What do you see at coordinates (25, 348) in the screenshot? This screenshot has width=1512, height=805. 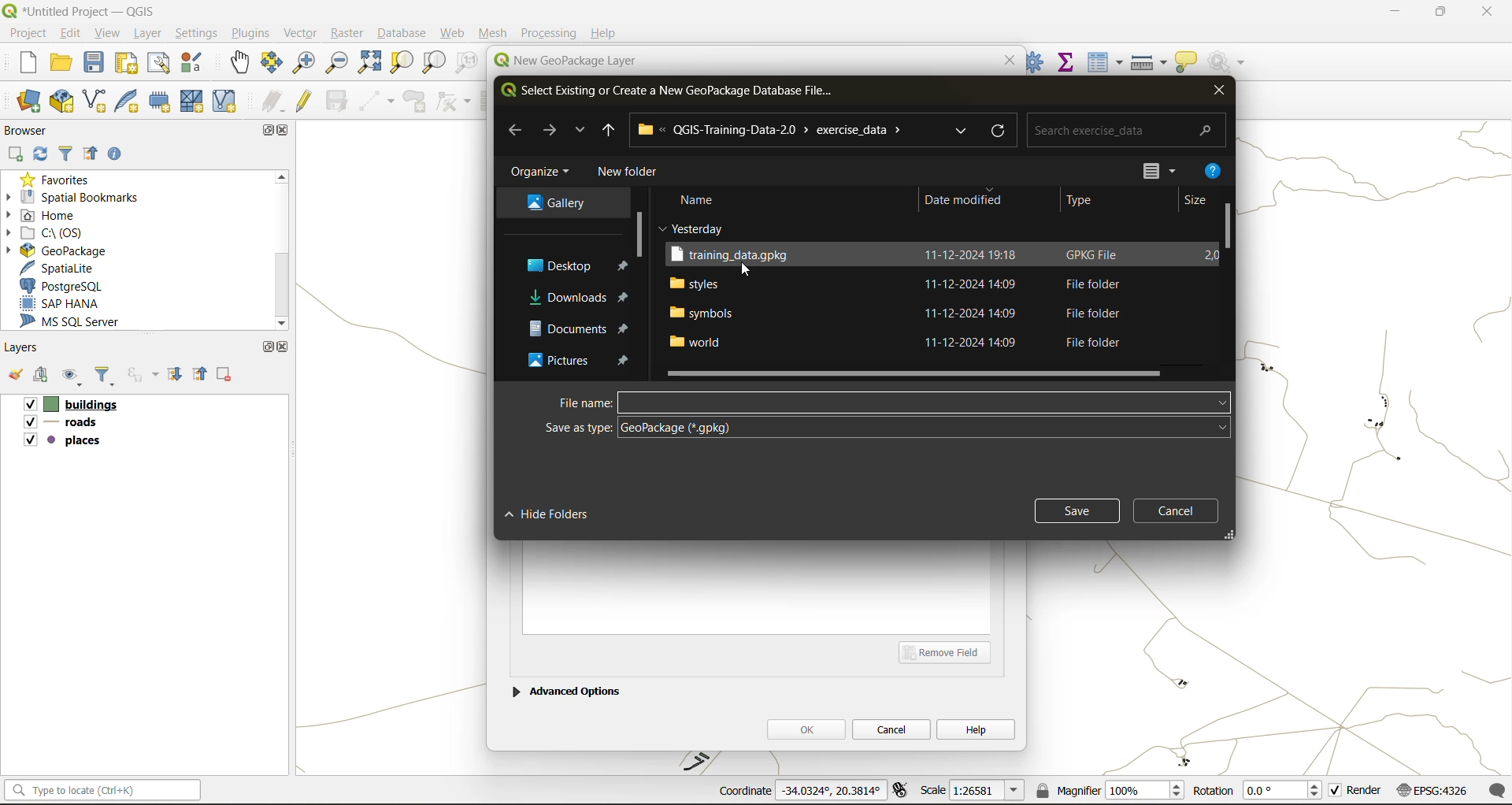 I see `layers` at bounding box center [25, 348].